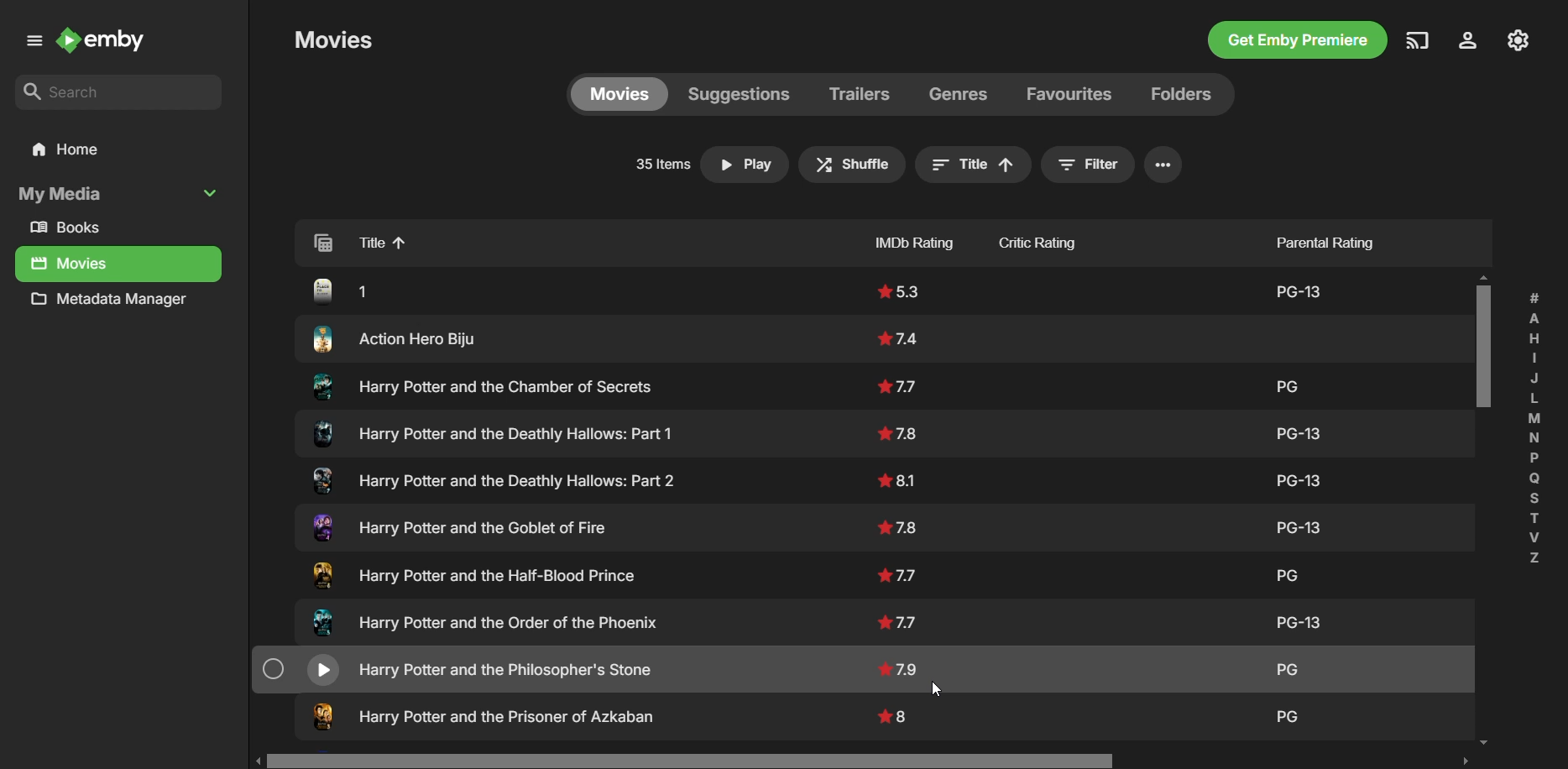  Describe the element at coordinates (900, 666) in the screenshot. I see `` at that location.